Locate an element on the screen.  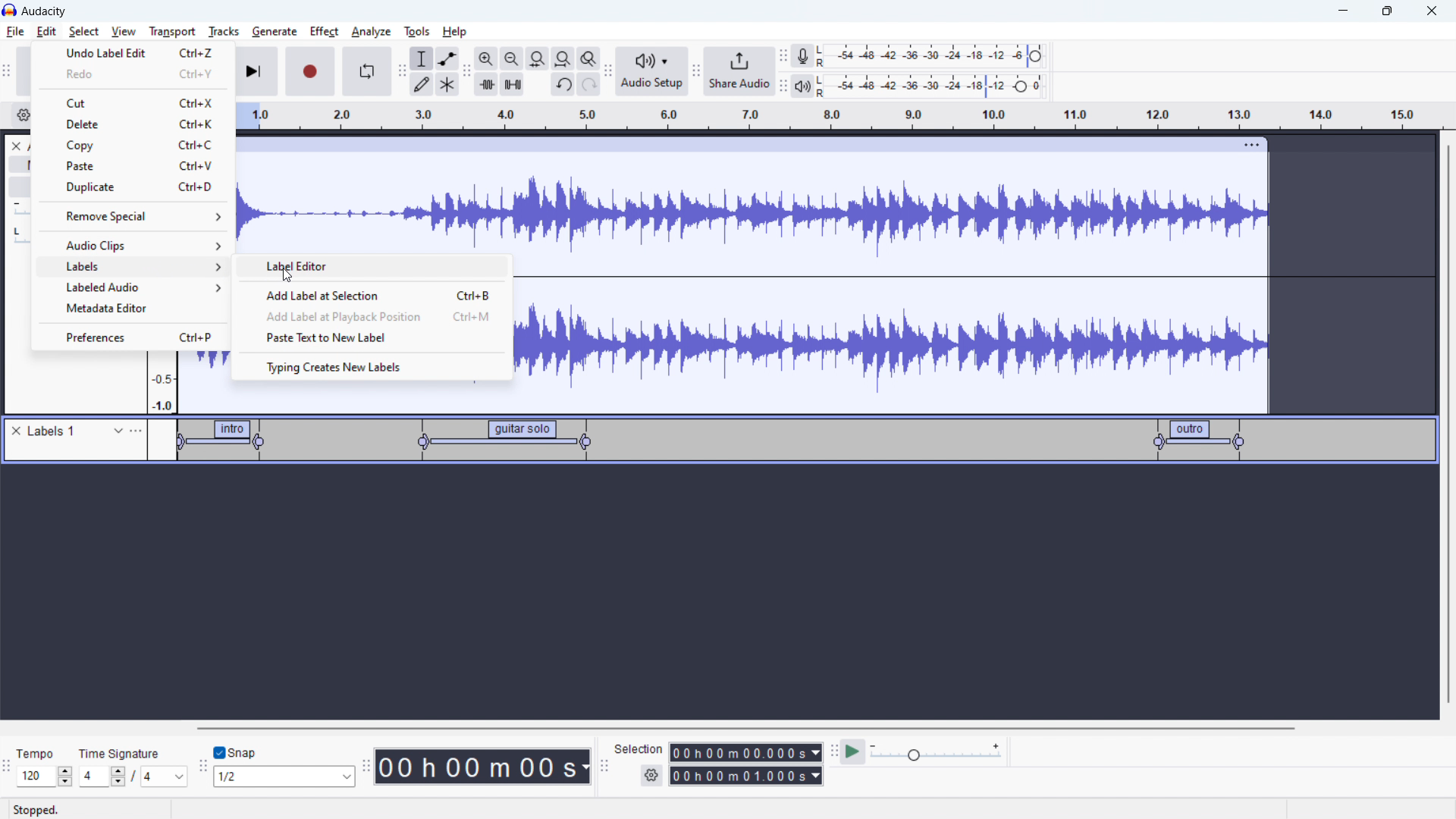
audio waveform is located at coordinates (893, 335).